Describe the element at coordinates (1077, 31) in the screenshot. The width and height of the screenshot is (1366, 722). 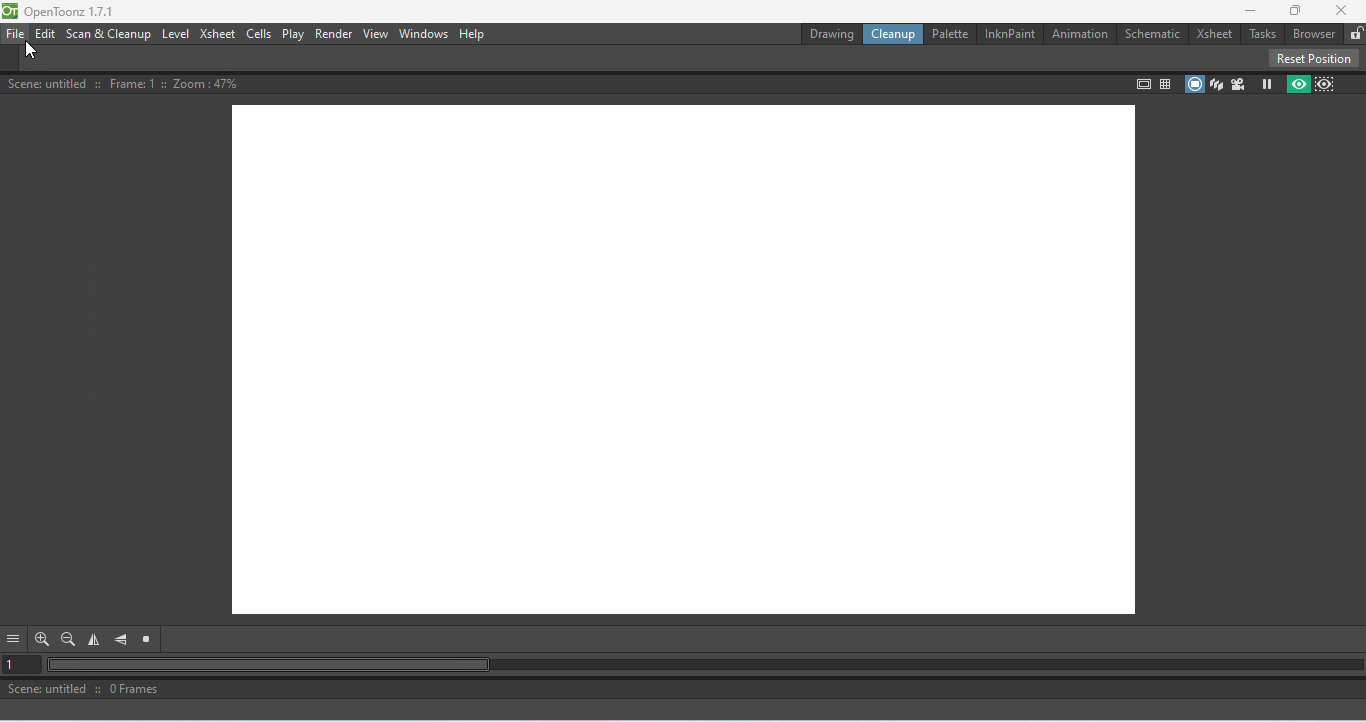
I see `Animation` at that location.